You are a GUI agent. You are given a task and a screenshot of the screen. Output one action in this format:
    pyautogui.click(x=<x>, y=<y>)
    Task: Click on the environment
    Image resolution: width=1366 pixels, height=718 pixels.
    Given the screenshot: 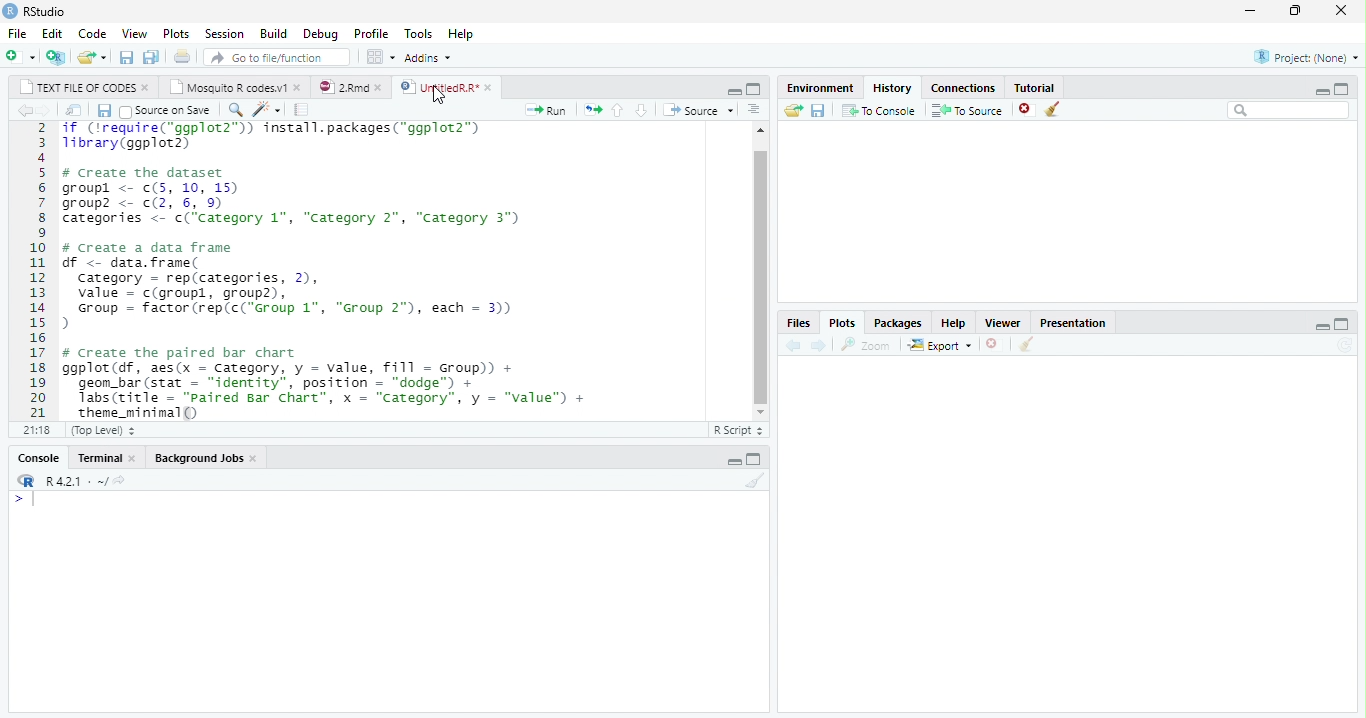 What is the action you would take?
    pyautogui.click(x=816, y=88)
    